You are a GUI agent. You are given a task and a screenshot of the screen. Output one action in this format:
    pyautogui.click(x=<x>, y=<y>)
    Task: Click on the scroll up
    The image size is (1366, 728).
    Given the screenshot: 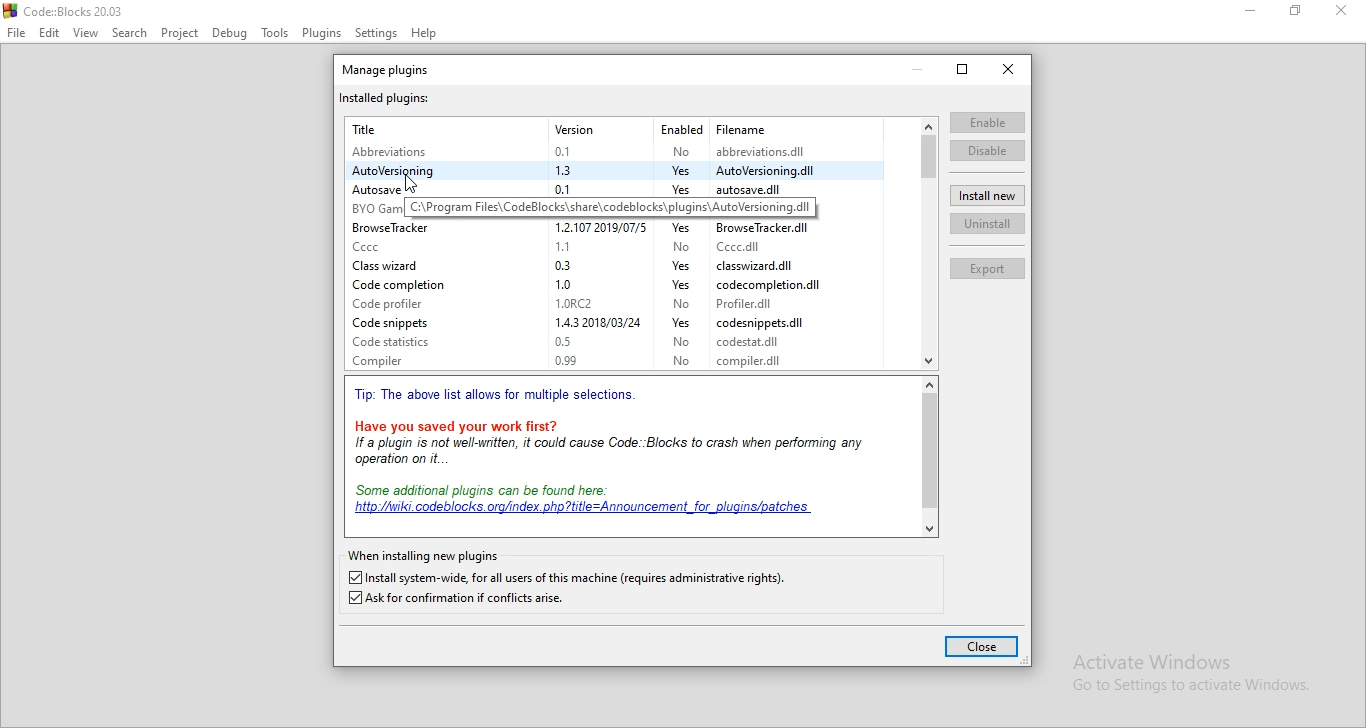 What is the action you would take?
    pyautogui.click(x=929, y=124)
    